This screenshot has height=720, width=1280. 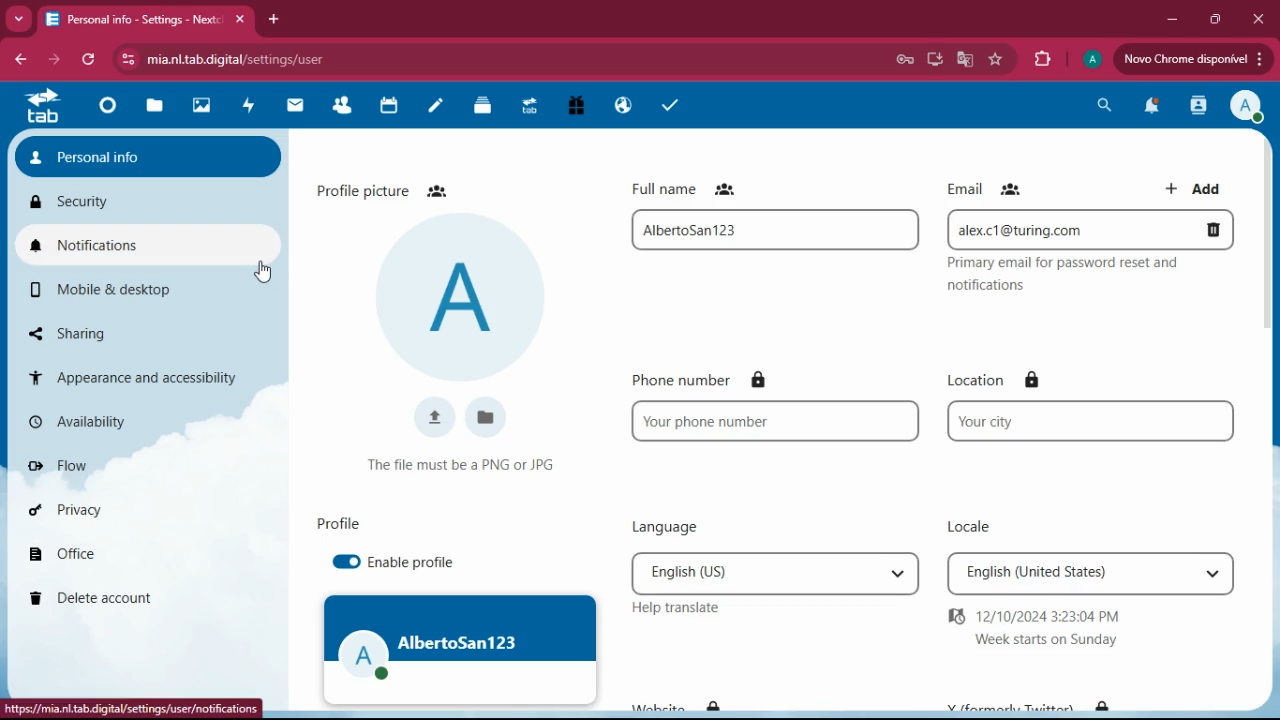 What do you see at coordinates (128, 289) in the screenshot?
I see `mobile` at bounding box center [128, 289].